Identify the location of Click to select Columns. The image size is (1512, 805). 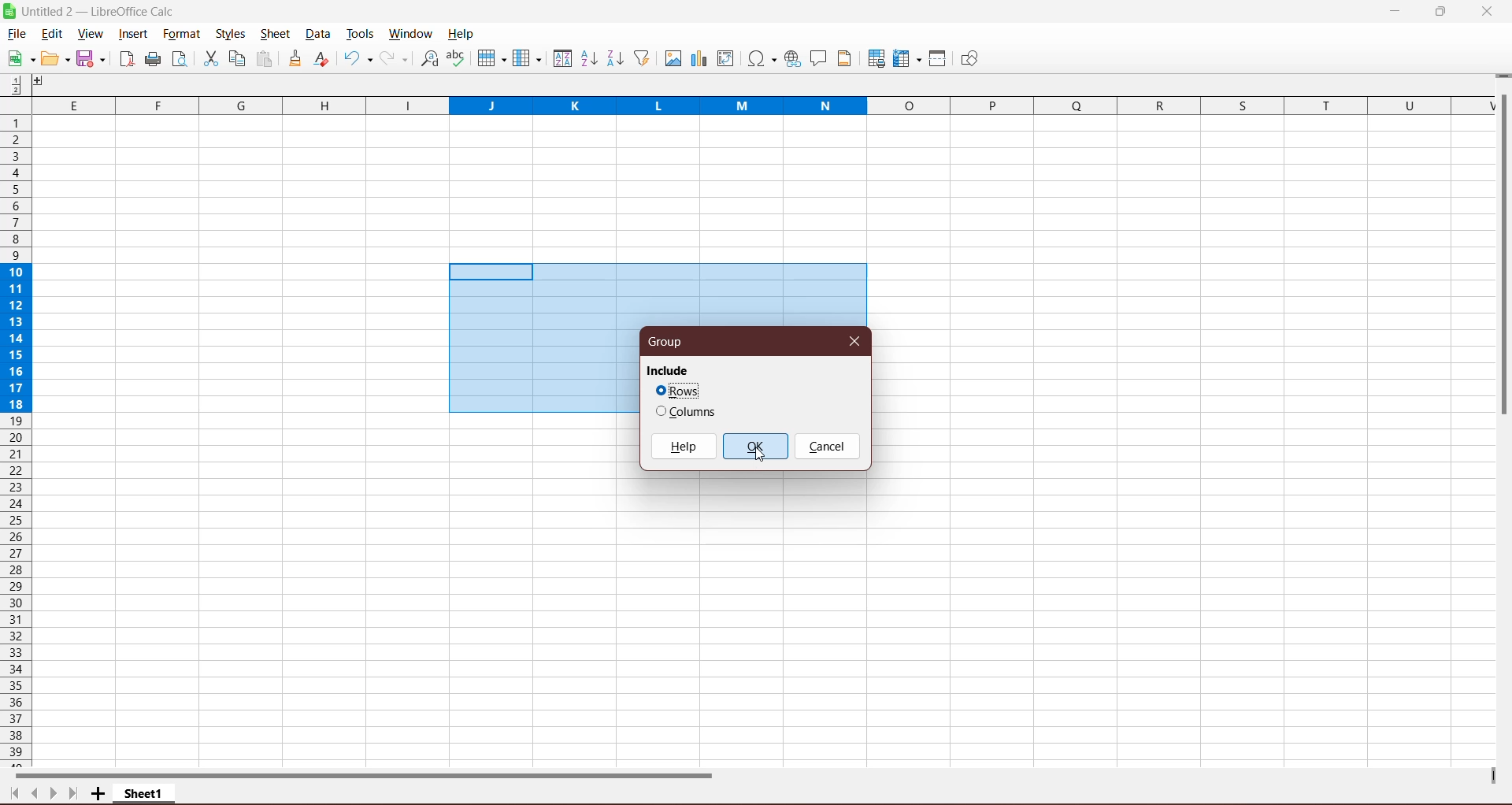
(689, 411).